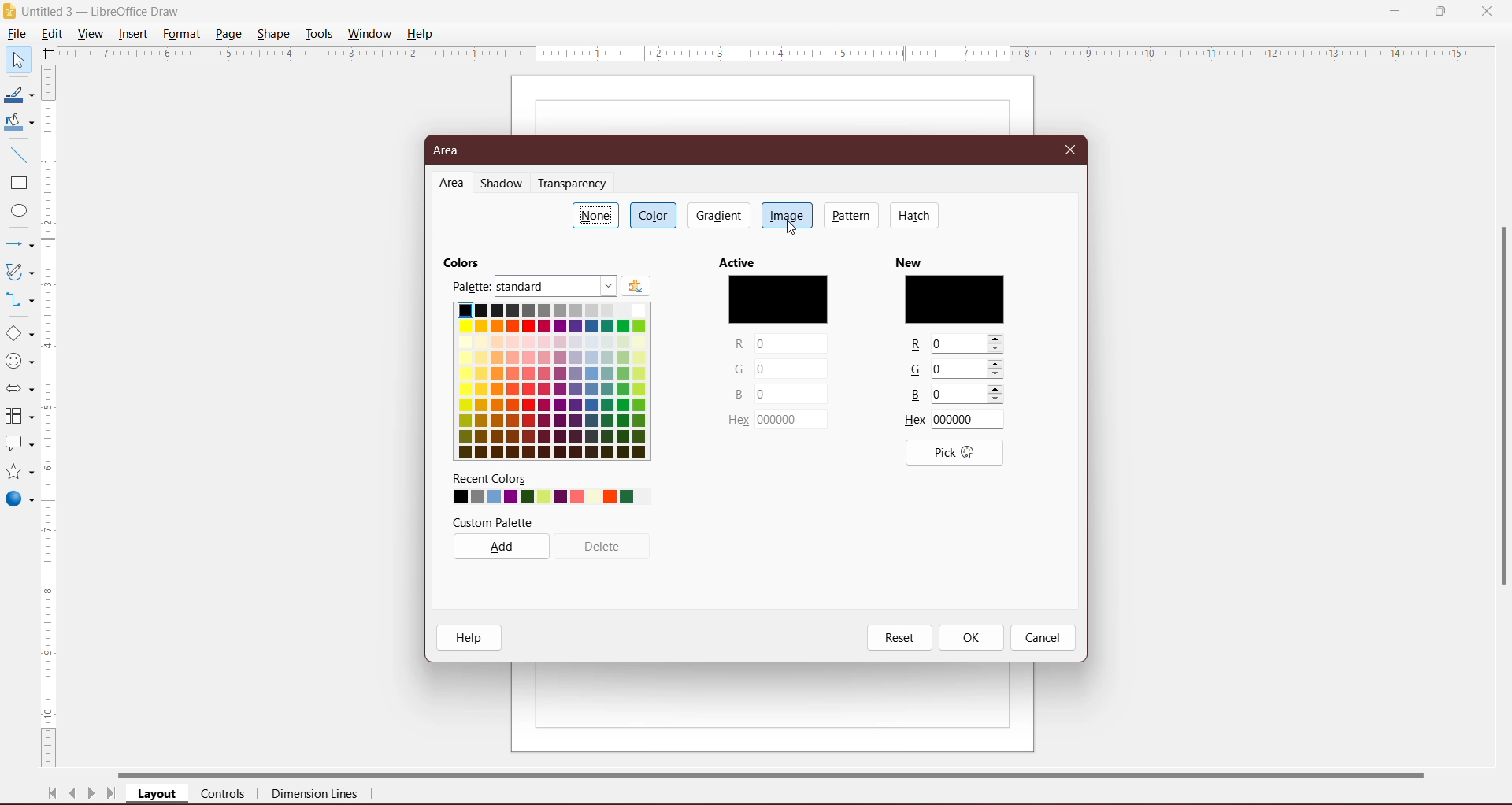 The image size is (1512, 805). What do you see at coordinates (789, 394) in the screenshot?
I see `0` at bounding box center [789, 394].